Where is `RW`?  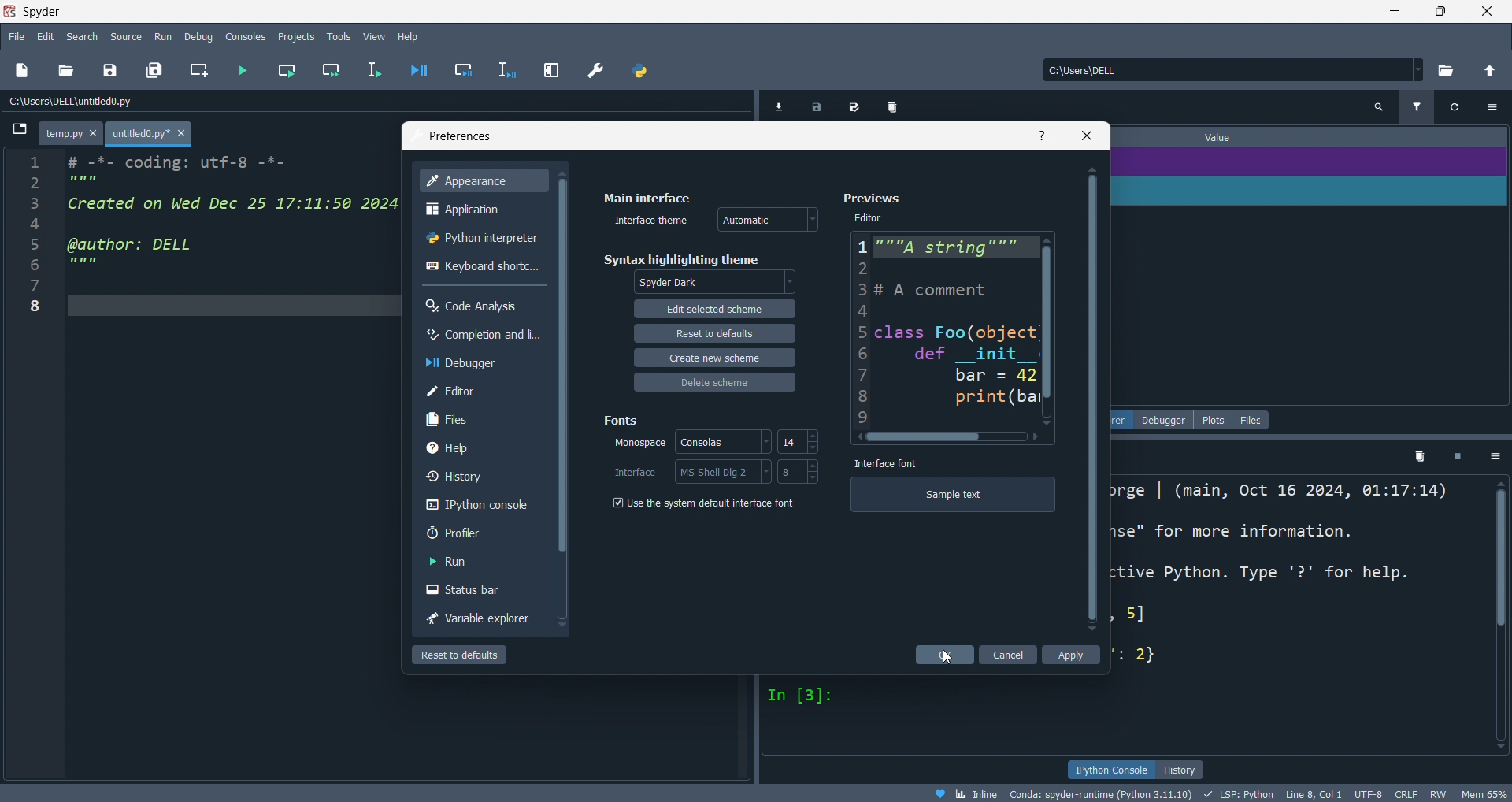
RW is located at coordinates (1442, 793).